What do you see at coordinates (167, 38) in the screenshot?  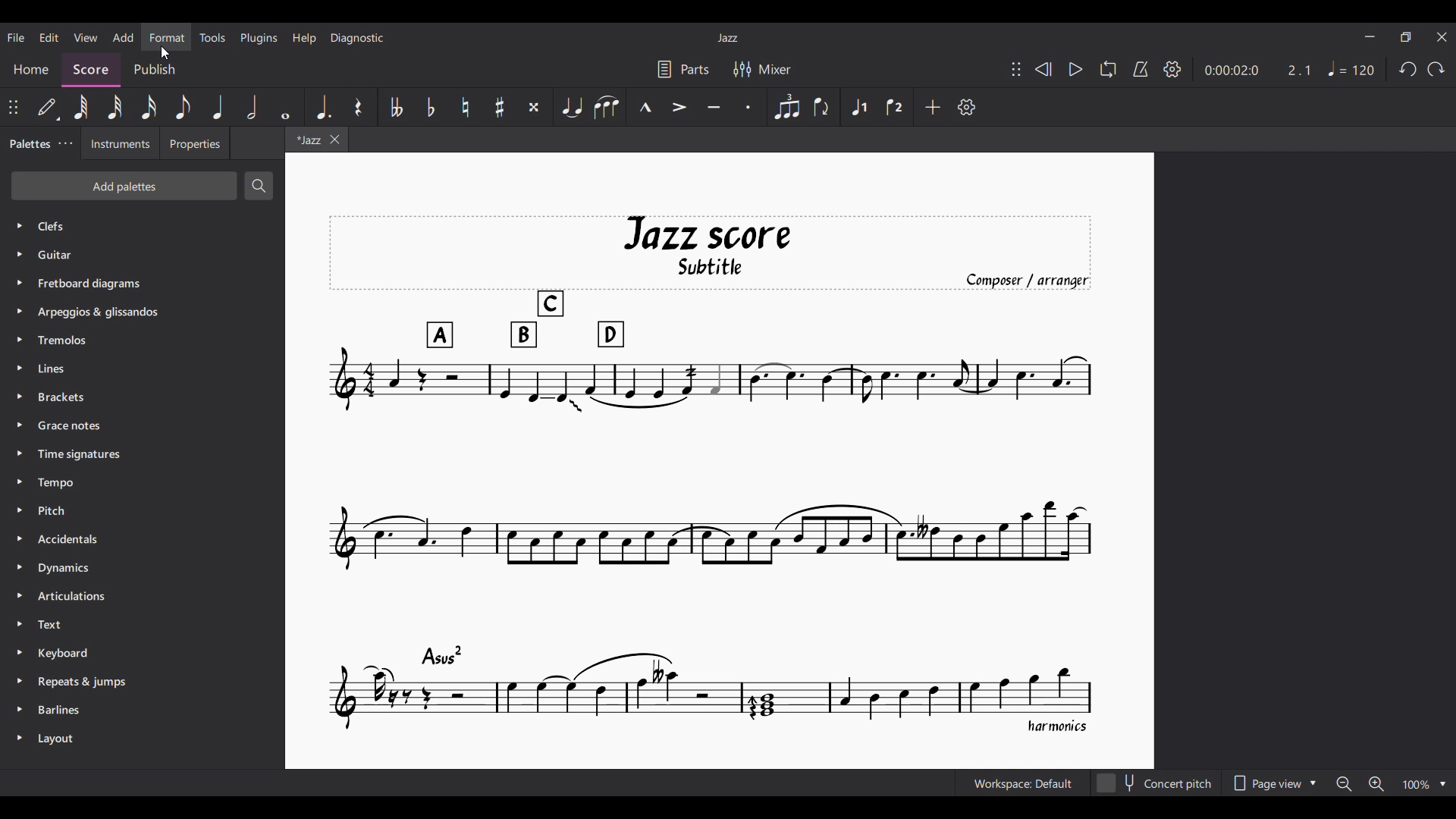 I see `Format menu, highlighted by cursor` at bounding box center [167, 38].